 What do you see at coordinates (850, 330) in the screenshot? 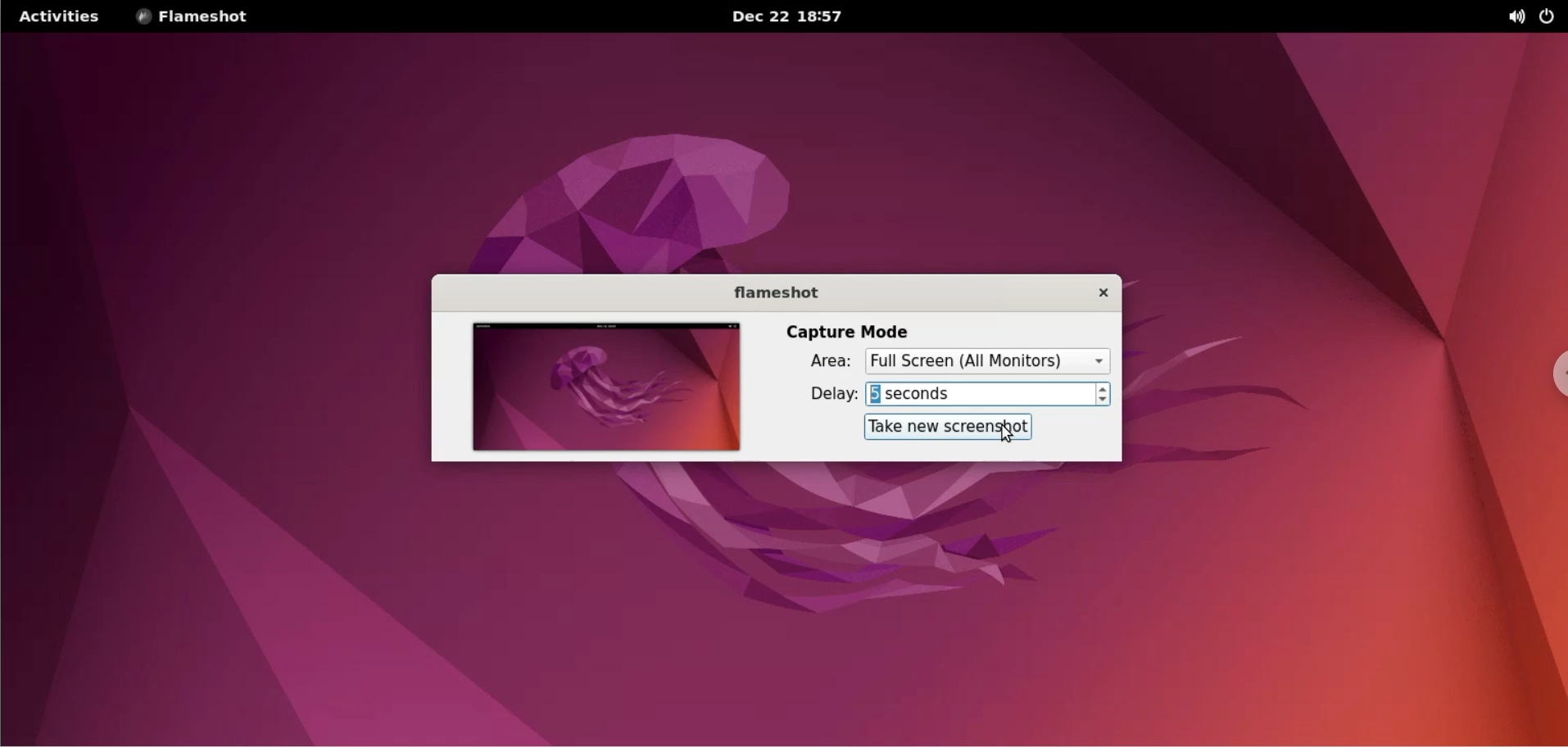
I see `capture mode` at bounding box center [850, 330].